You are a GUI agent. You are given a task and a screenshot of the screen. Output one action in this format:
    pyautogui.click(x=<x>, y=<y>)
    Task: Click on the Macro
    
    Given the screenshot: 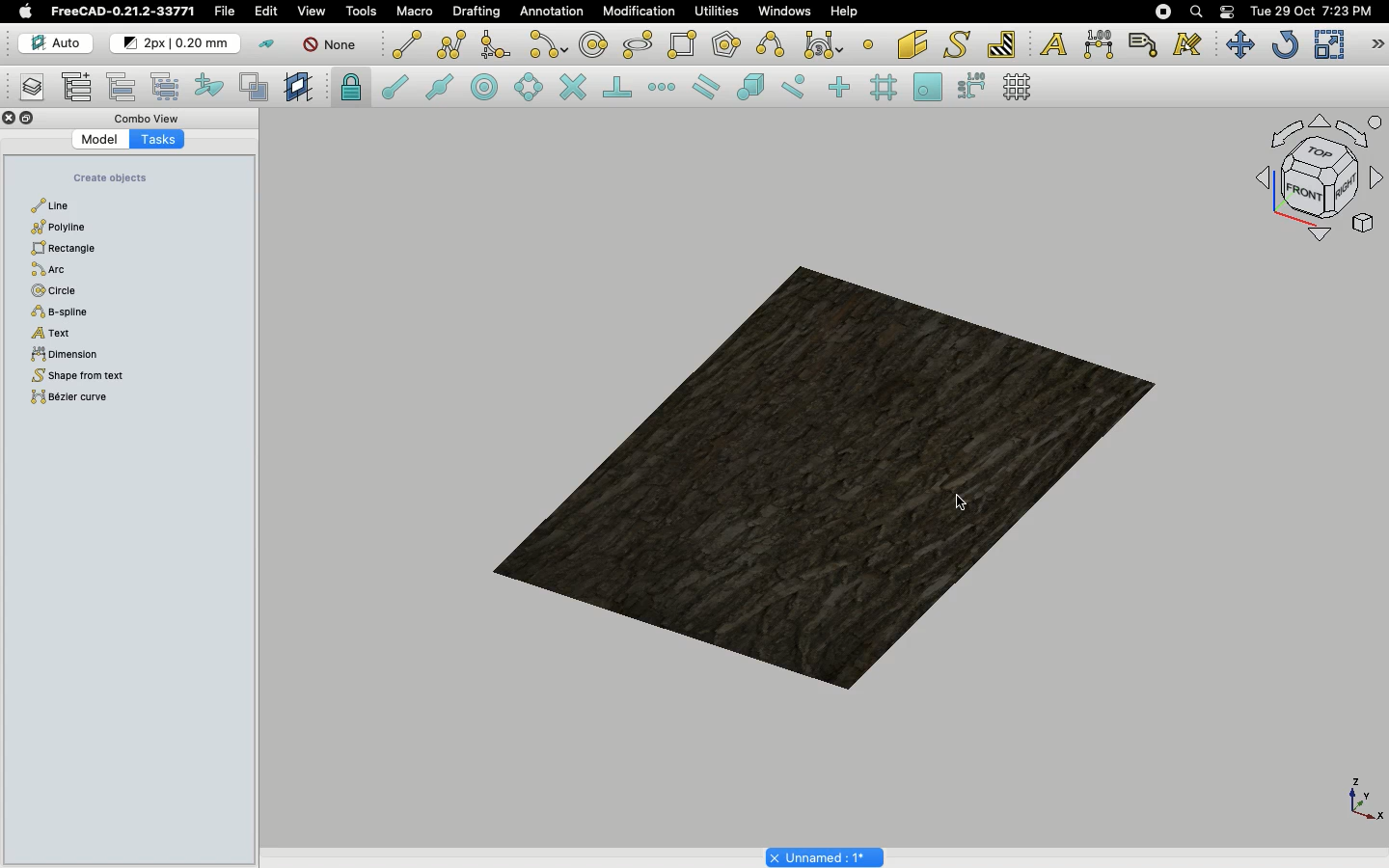 What is the action you would take?
    pyautogui.click(x=416, y=12)
    